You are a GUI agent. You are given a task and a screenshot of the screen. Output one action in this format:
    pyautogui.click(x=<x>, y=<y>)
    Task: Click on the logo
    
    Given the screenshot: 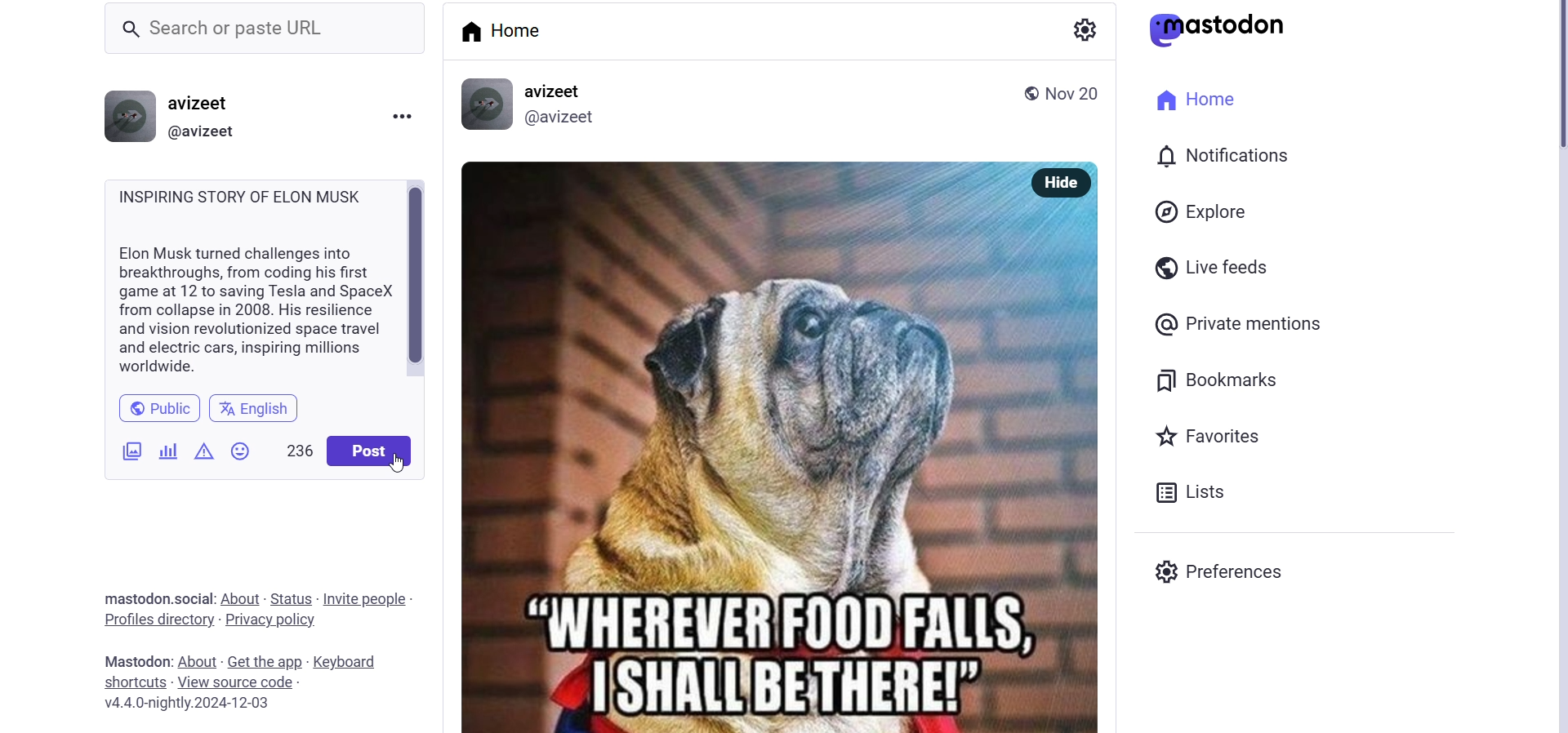 What is the action you would take?
    pyautogui.click(x=1223, y=29)
    